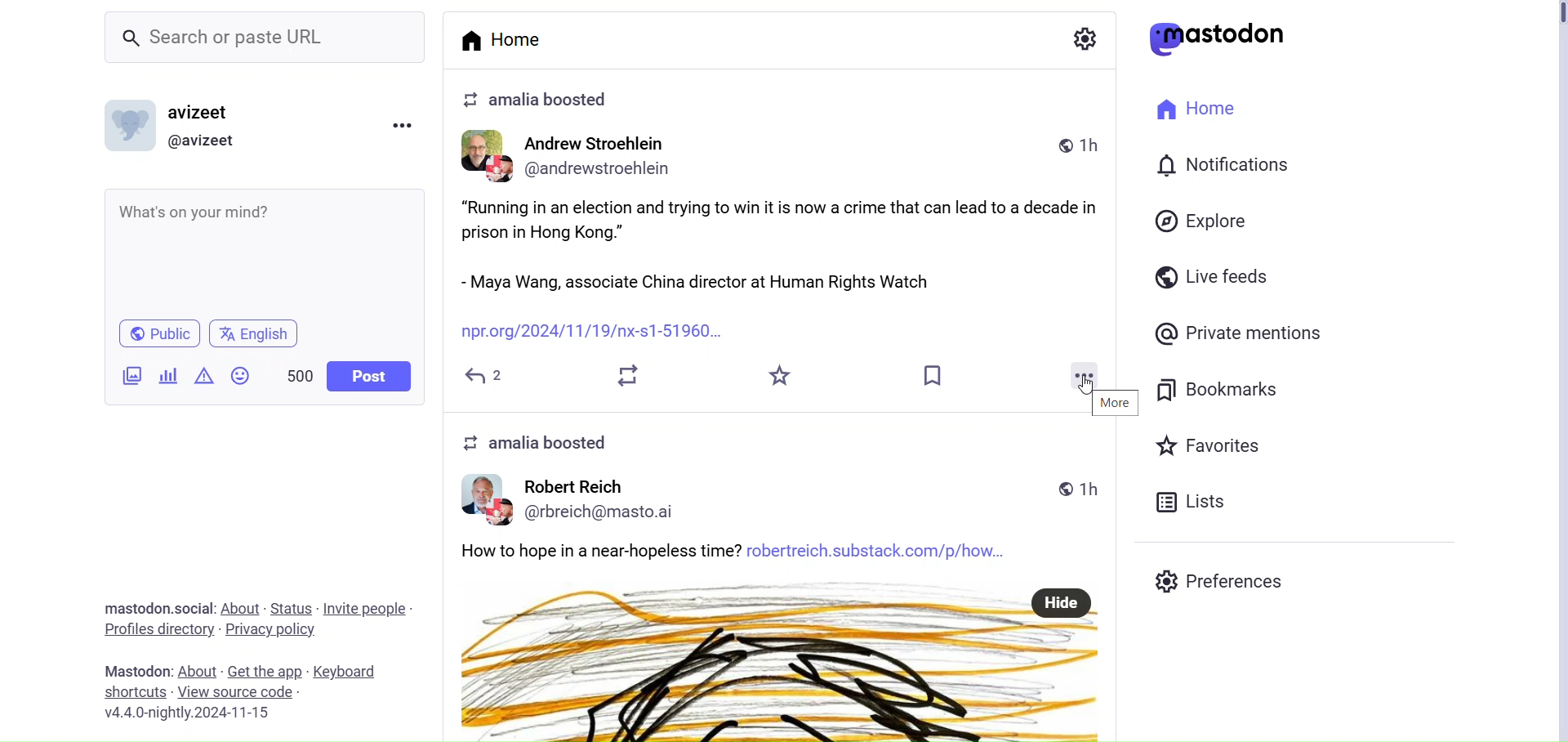  Describe the element at coordinates (600, 333) in the screenshot. I see `link` at that location.